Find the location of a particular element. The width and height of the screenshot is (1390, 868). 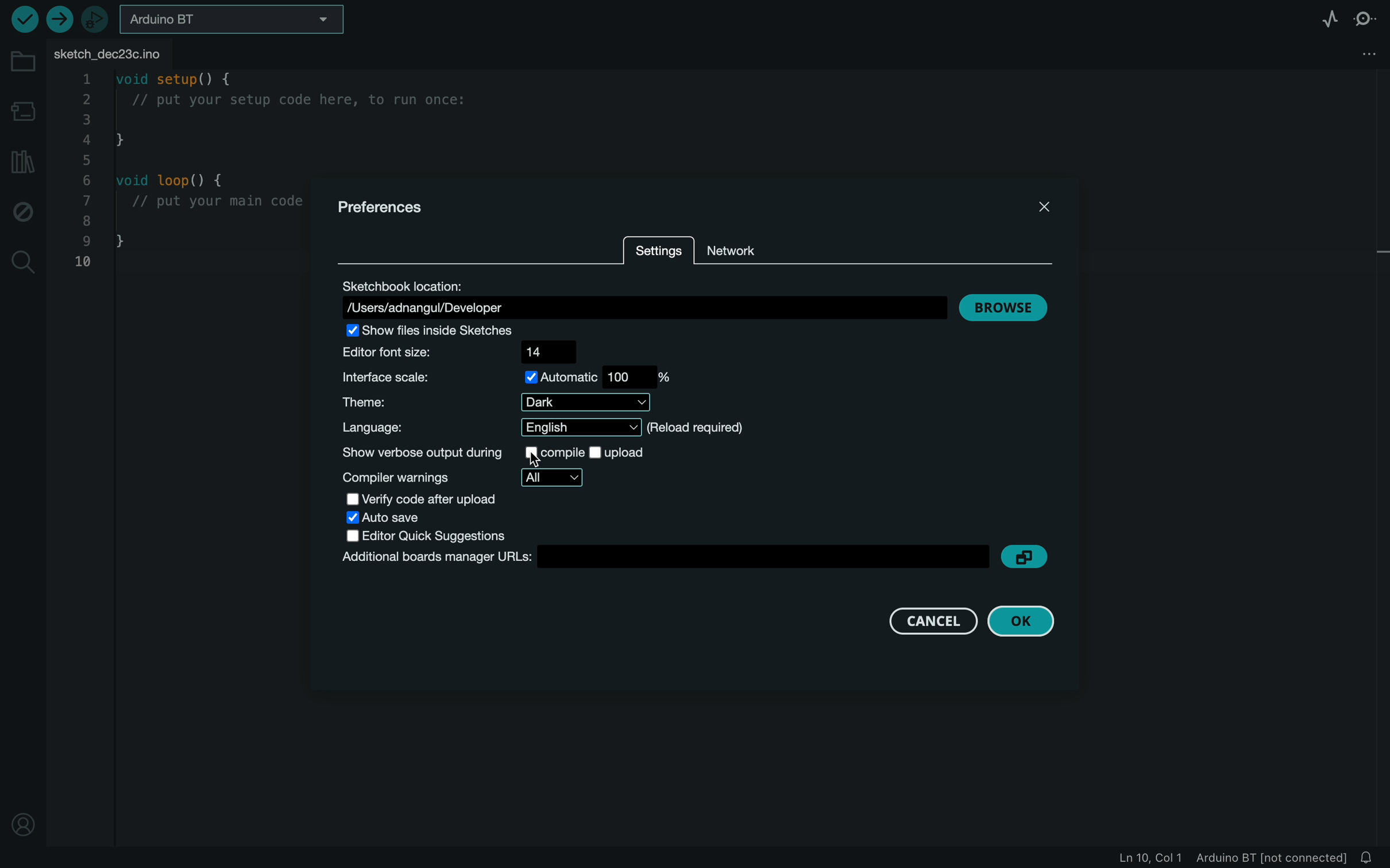

settings is located at coordinates (657, 250).